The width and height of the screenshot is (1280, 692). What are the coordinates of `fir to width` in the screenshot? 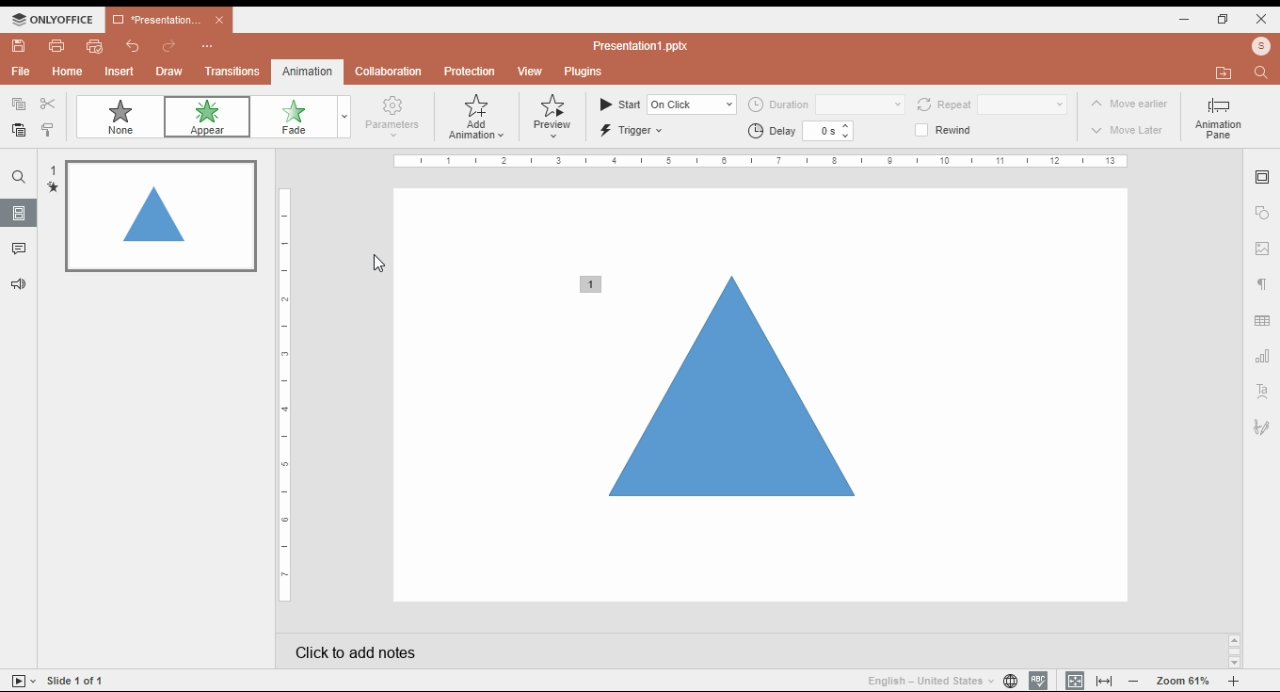 It's located at (1104, 681).